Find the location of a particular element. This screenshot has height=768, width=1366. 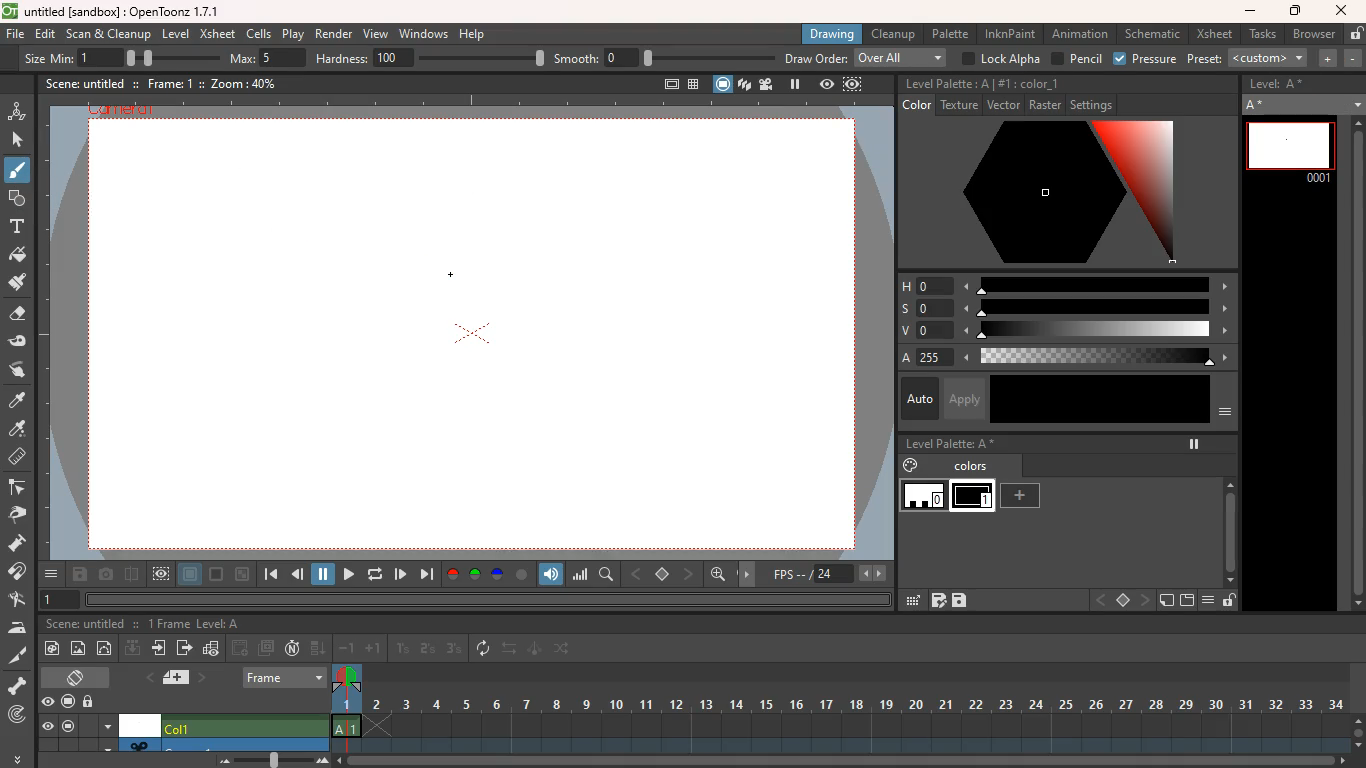

smooth: is located at coordinates (663, 58).